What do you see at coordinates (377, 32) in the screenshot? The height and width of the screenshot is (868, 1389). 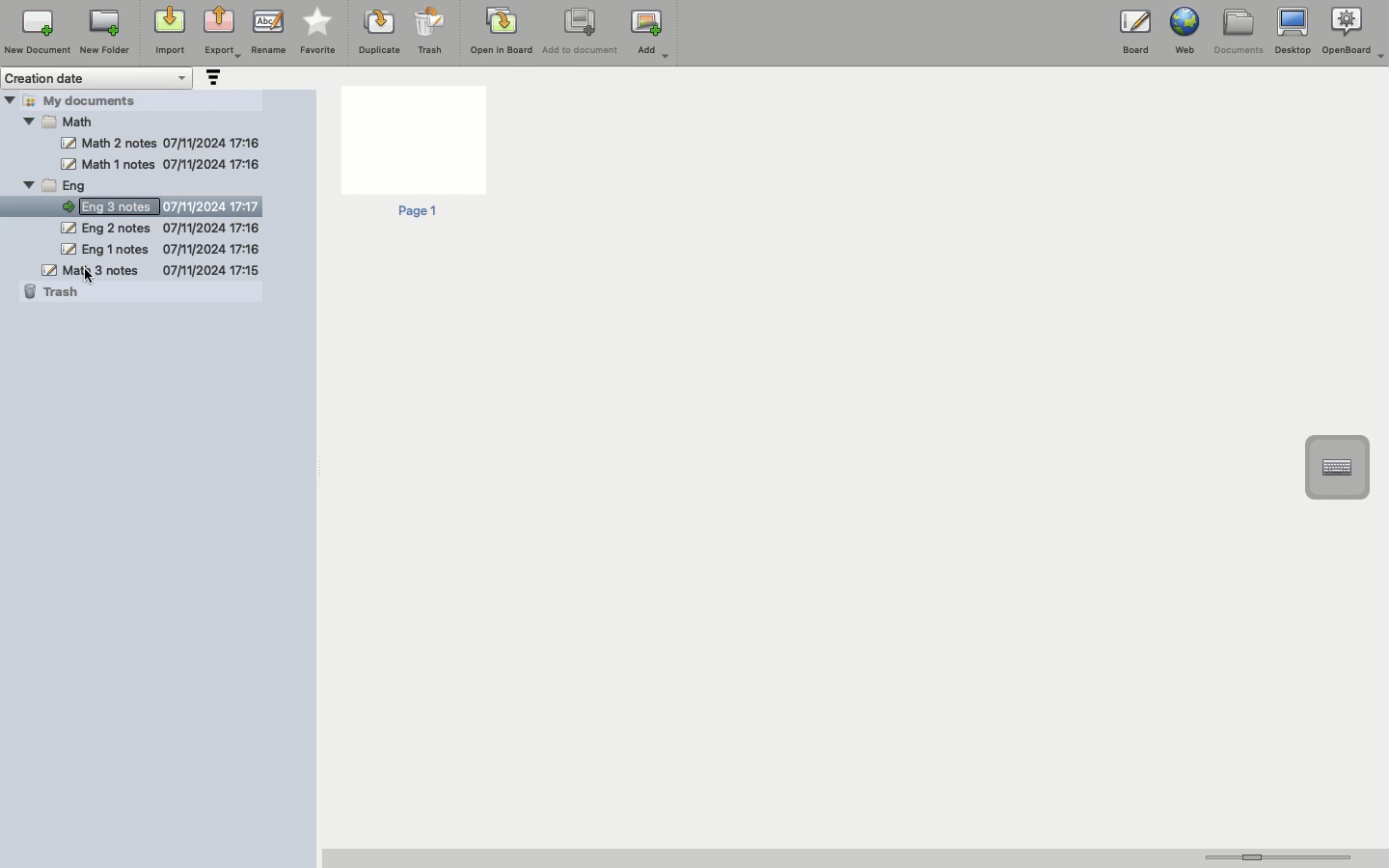 I see `Duplicate` at bounding box center [377, 32].